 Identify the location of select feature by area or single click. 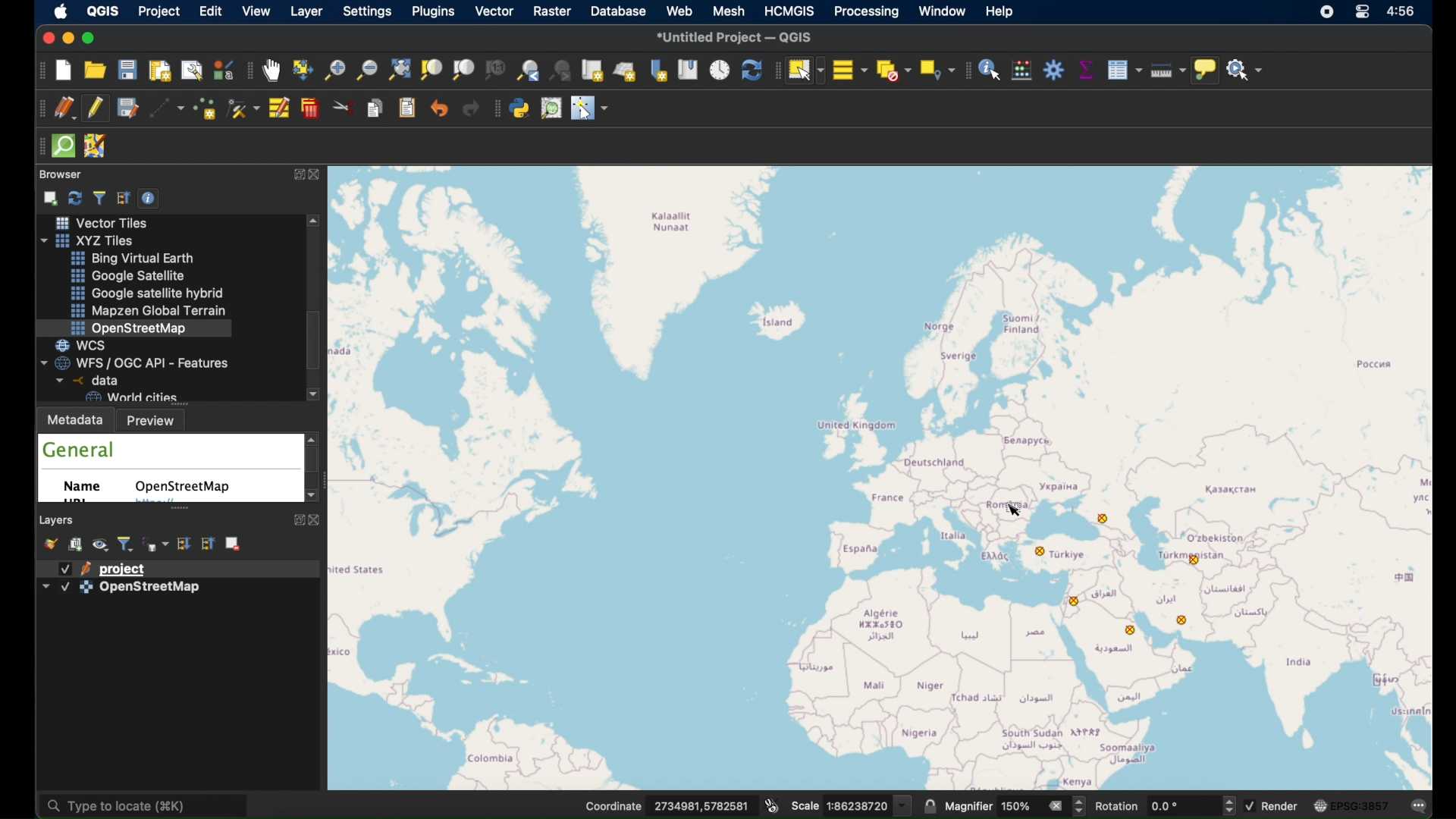
(805, 69).